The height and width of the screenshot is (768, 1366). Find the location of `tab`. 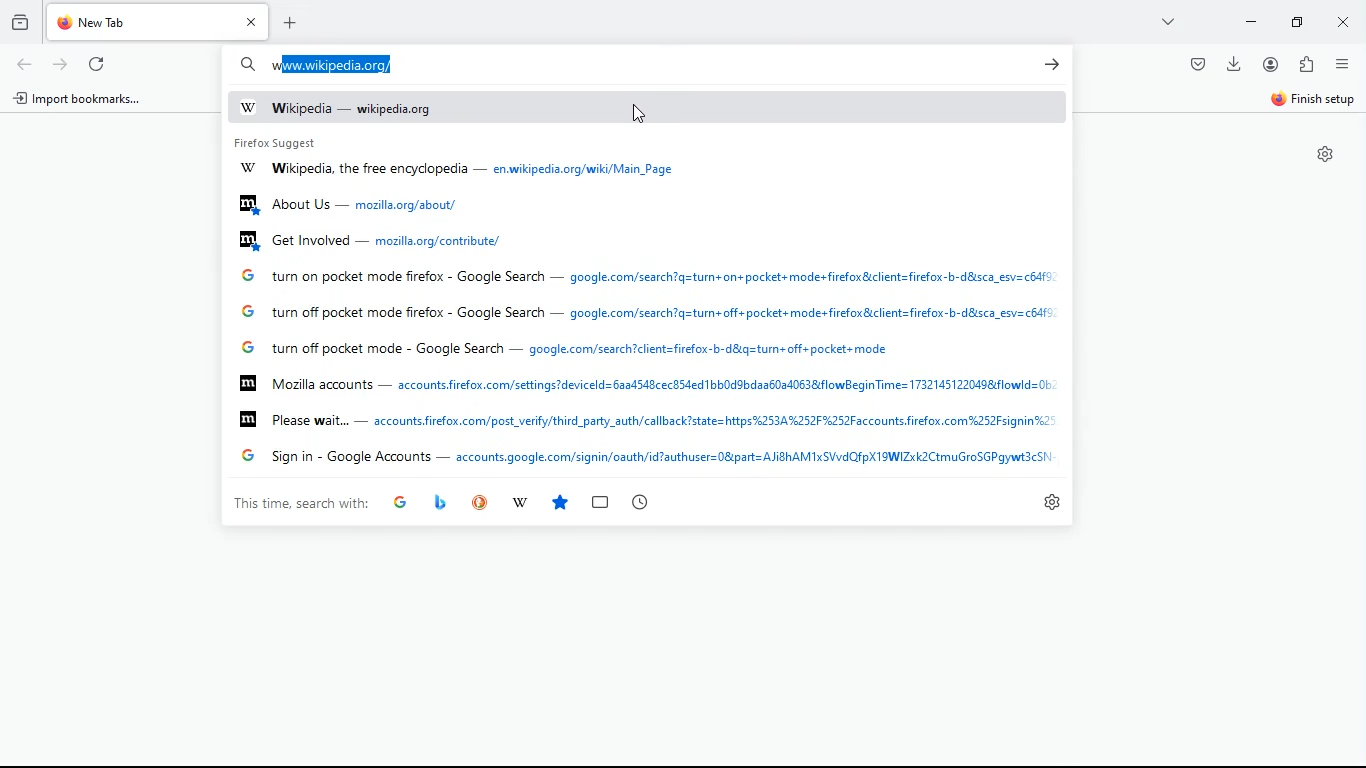

tab is located at coordinates (158, 22).